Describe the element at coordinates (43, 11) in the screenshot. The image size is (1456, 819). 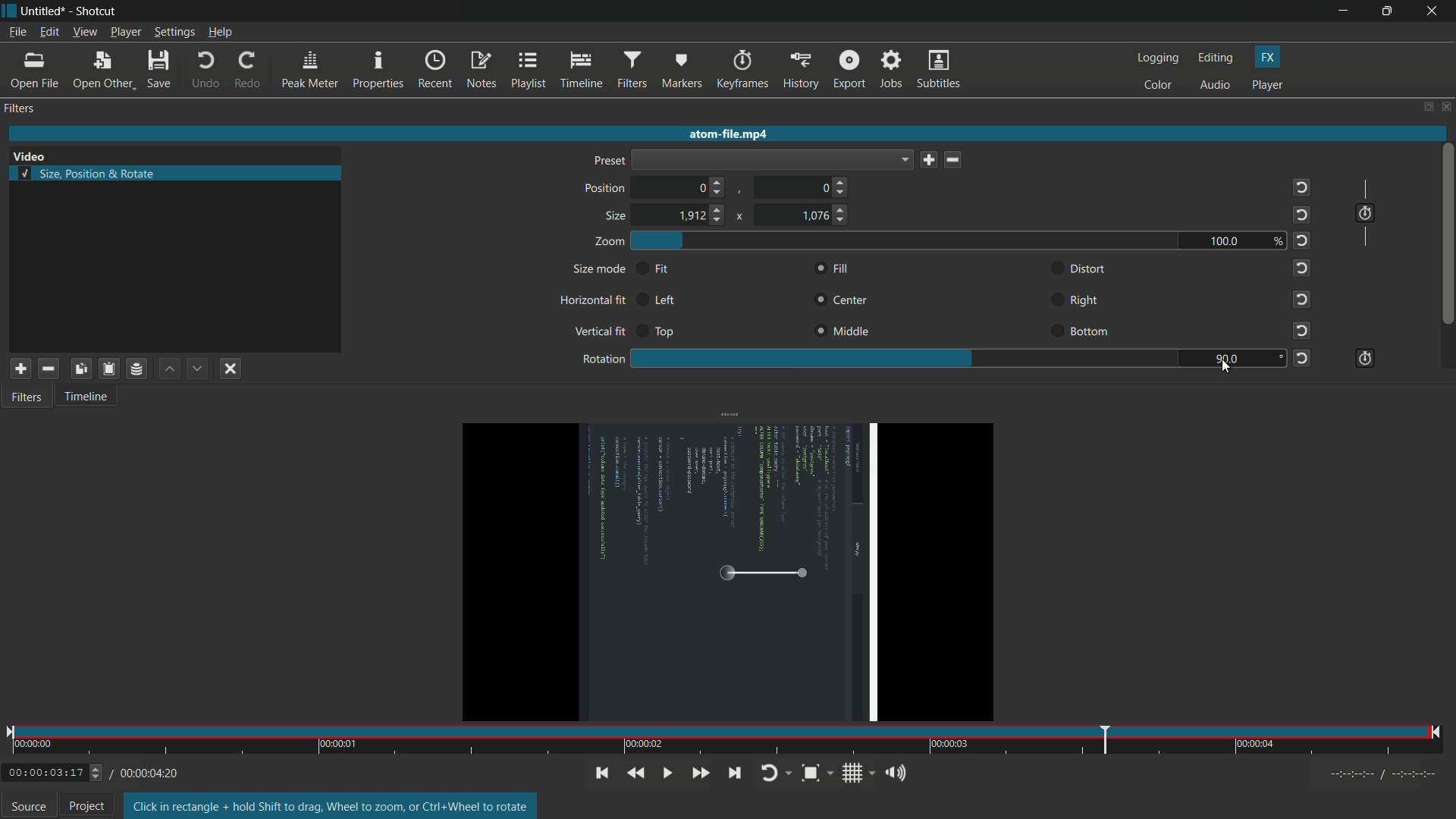
I see `untitled` at that location.